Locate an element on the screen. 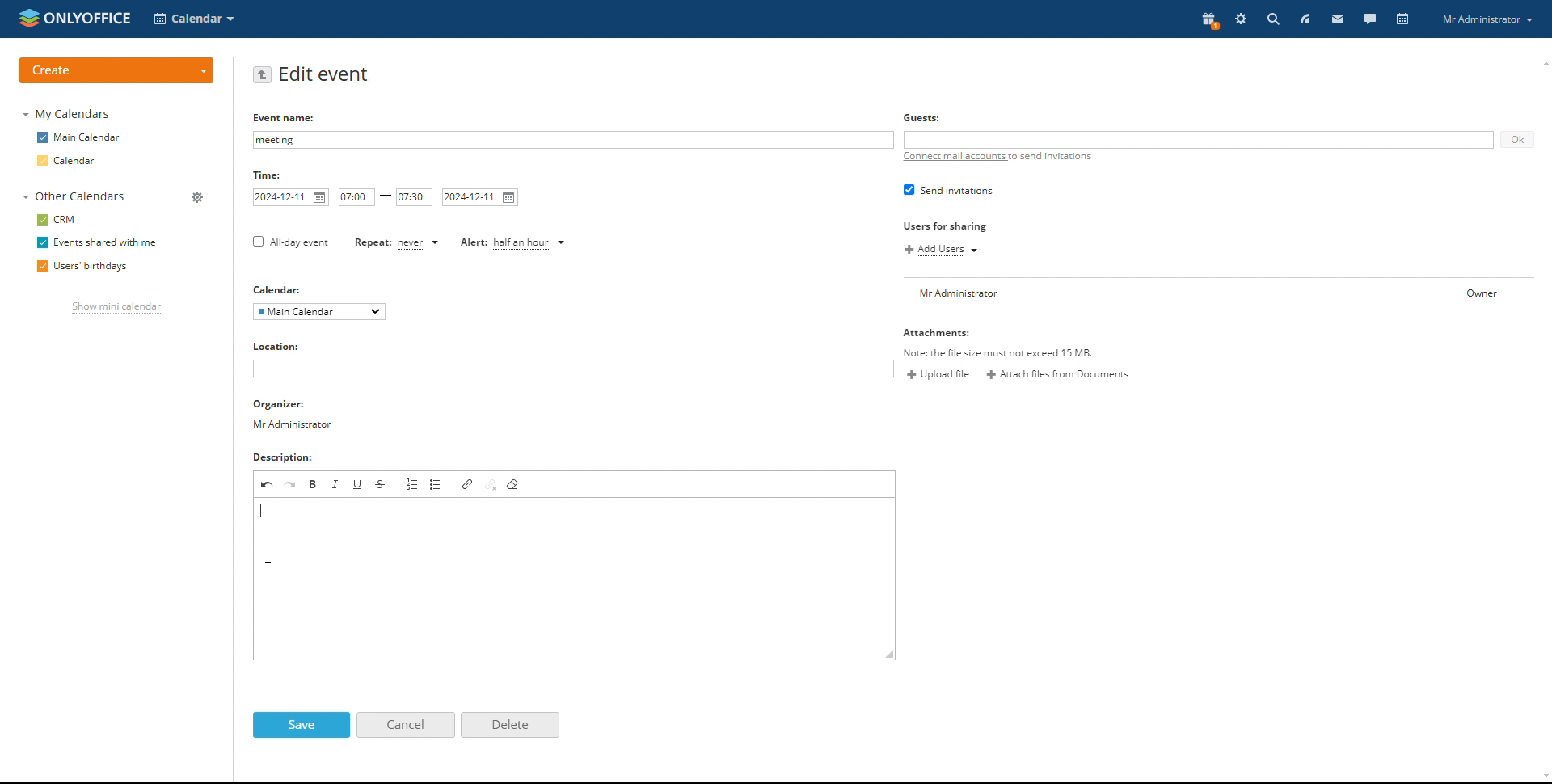 Image resolution: width=1552 pixels, height=784 pixels. send invitations is located at coordinates (948, 191).